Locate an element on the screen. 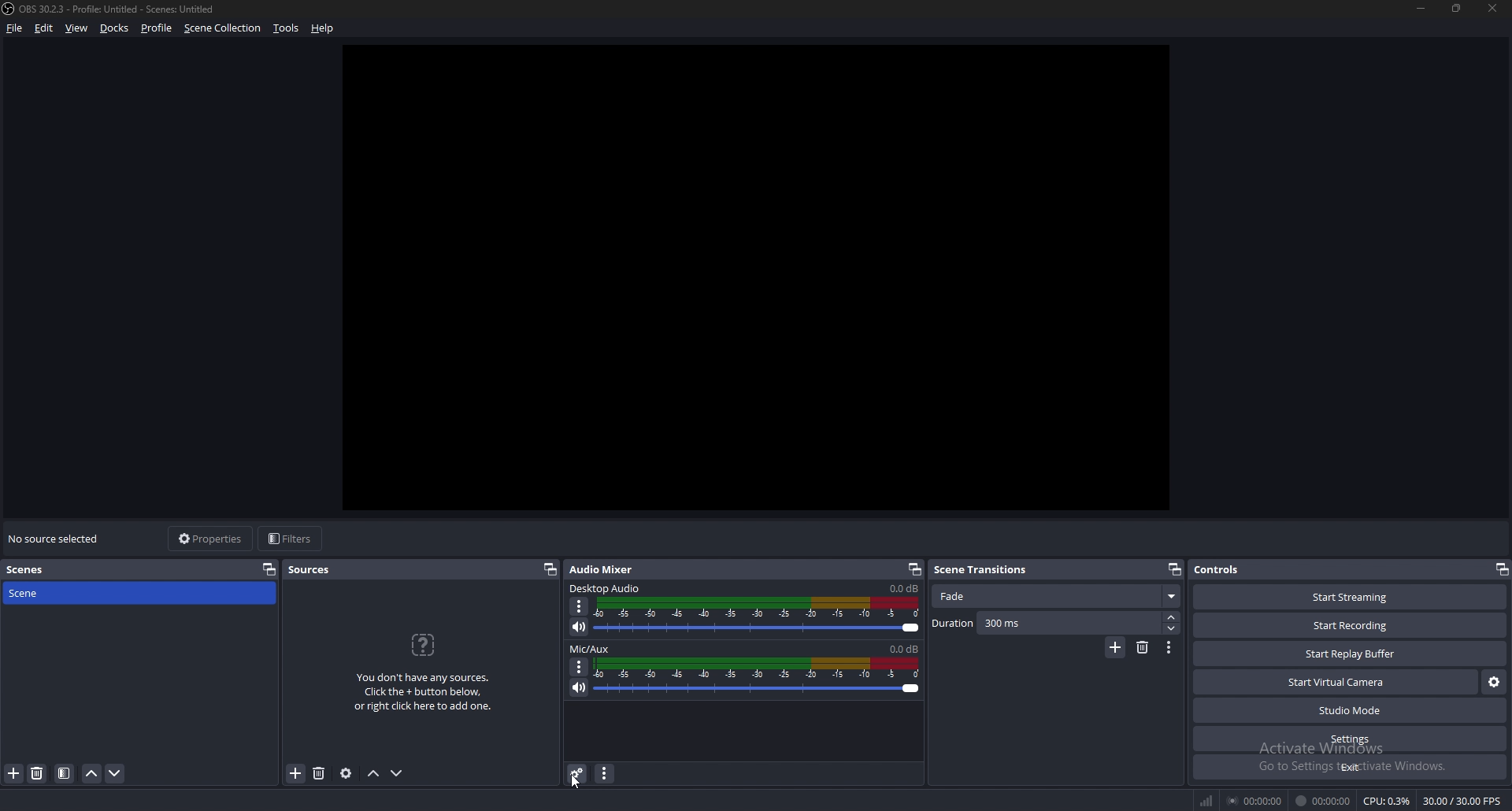 Image resolution: width=1512 pixels, height=811 pixels. obs logo is located at coordinates (10, 9).